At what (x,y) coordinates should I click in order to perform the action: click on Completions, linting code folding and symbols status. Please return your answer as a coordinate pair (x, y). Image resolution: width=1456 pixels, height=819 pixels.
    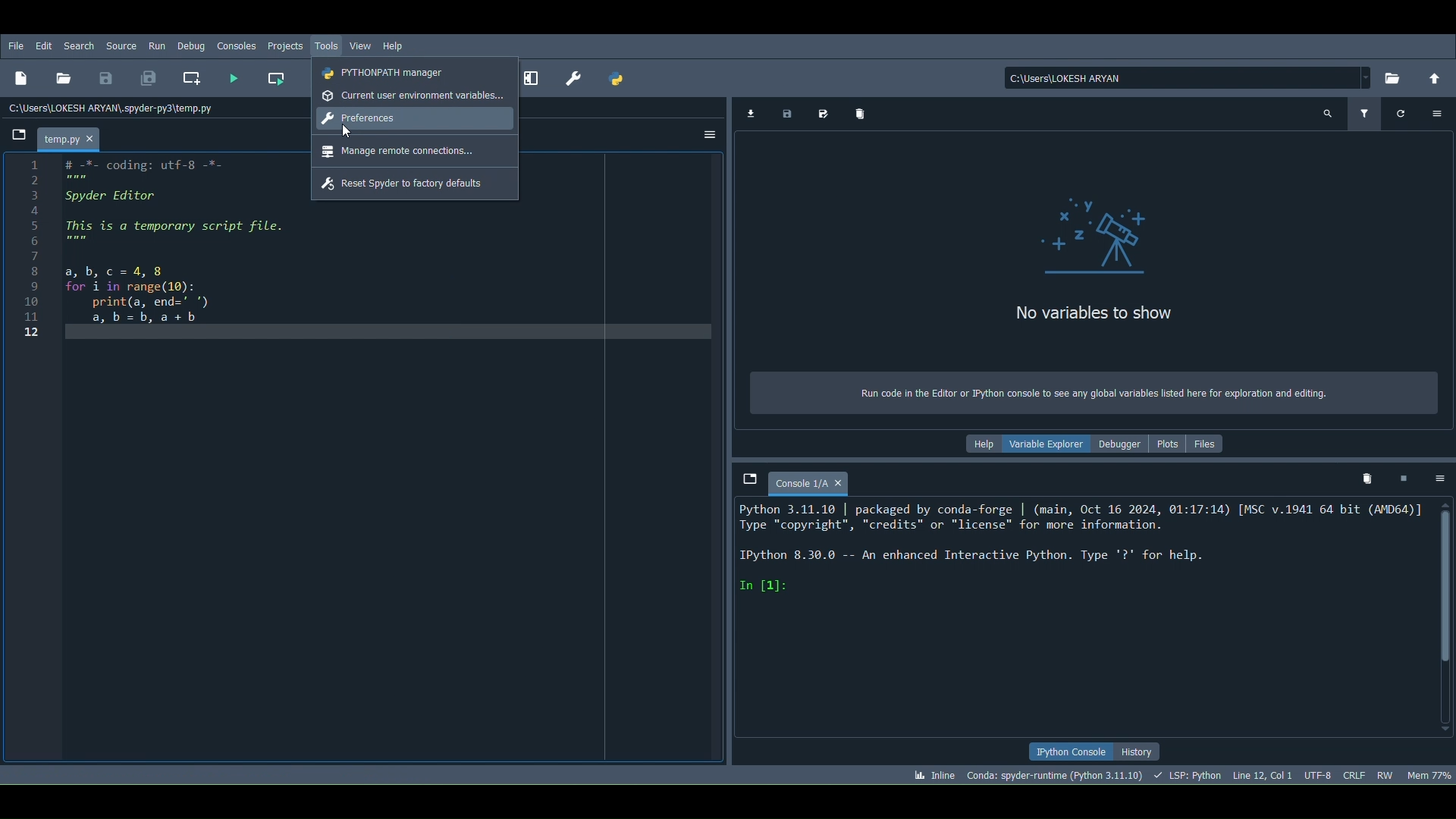
    Looking at the image, I should click on (1188, 774).